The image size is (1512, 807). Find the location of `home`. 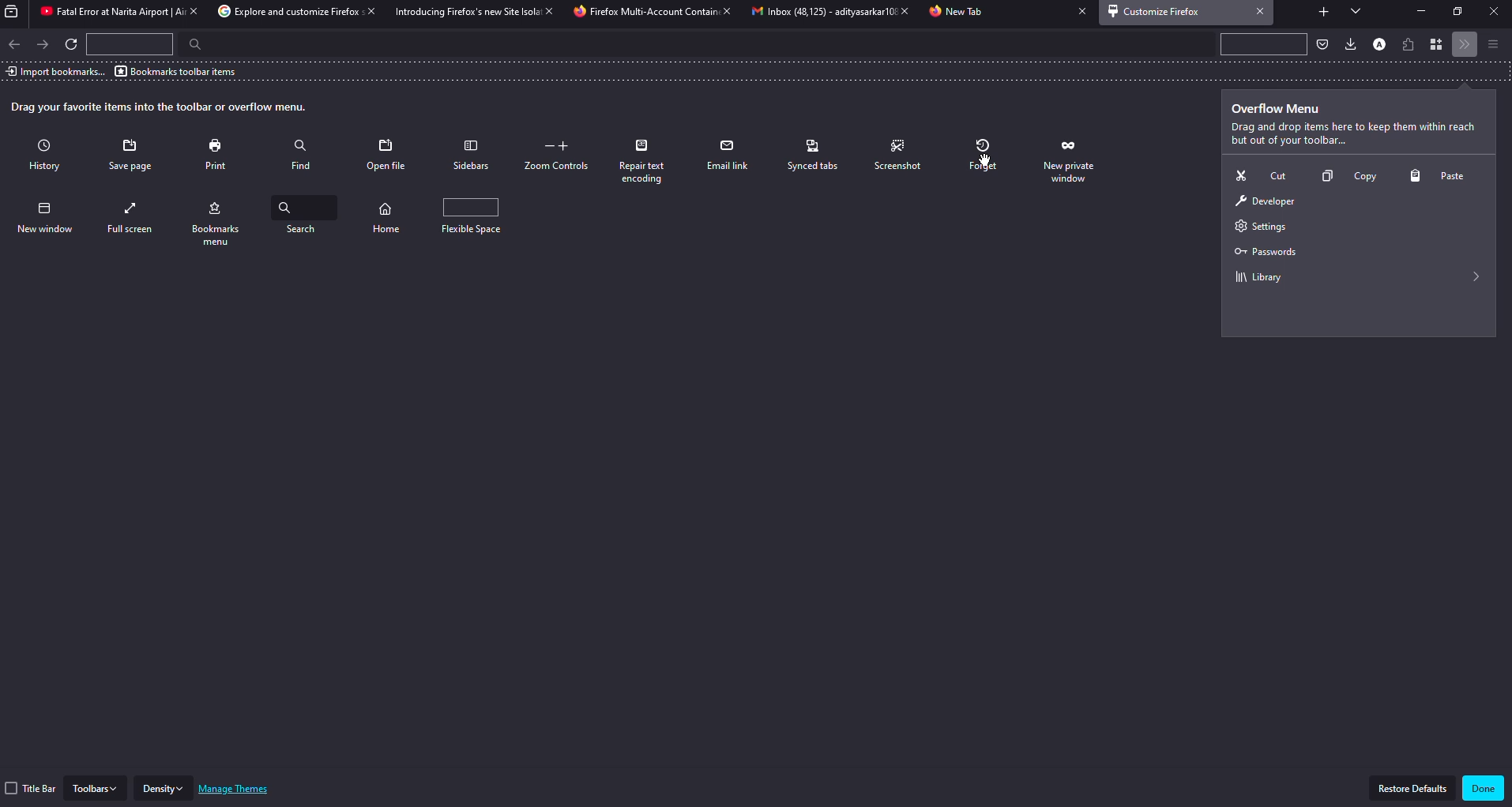

home is located at coordinates (389, 216).